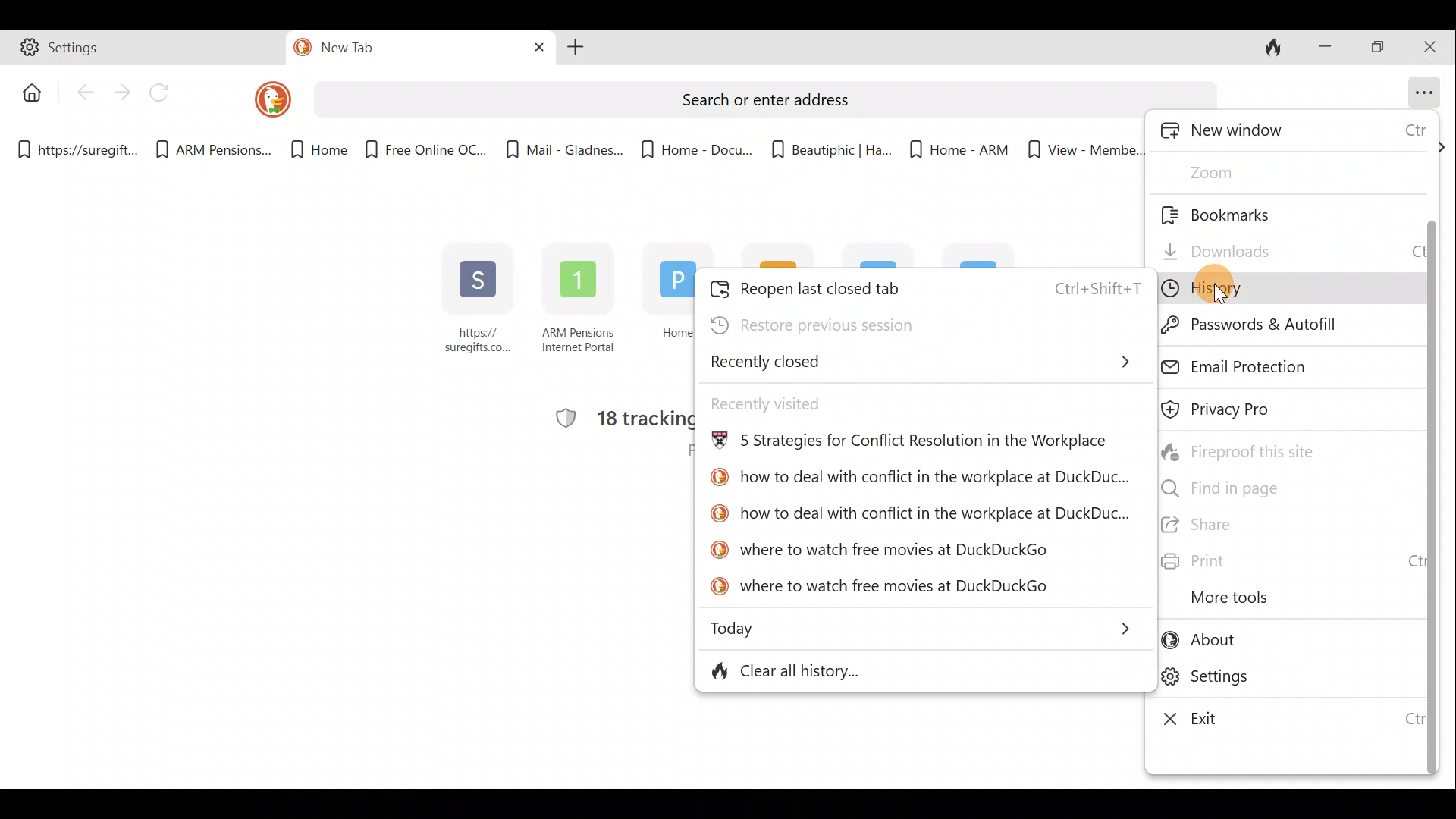 Image resolution: width=1456 pixels, height=819 pixels. Describe the element at coordinates (145, 50) in the screenshot. I see `Settings` at that location.